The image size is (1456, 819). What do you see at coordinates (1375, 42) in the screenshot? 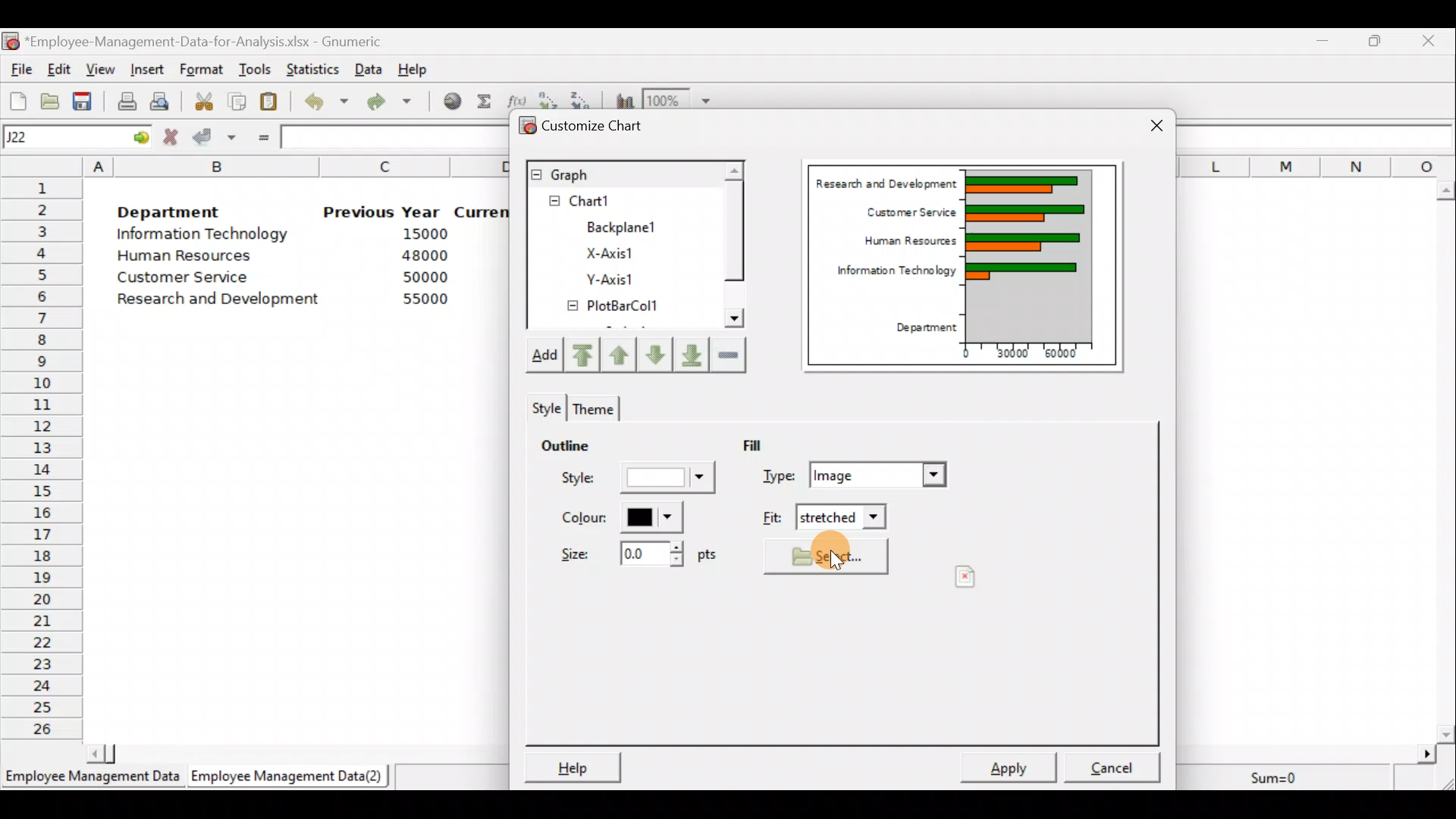
I see `Maximize` at bounding box center [1375, 42].